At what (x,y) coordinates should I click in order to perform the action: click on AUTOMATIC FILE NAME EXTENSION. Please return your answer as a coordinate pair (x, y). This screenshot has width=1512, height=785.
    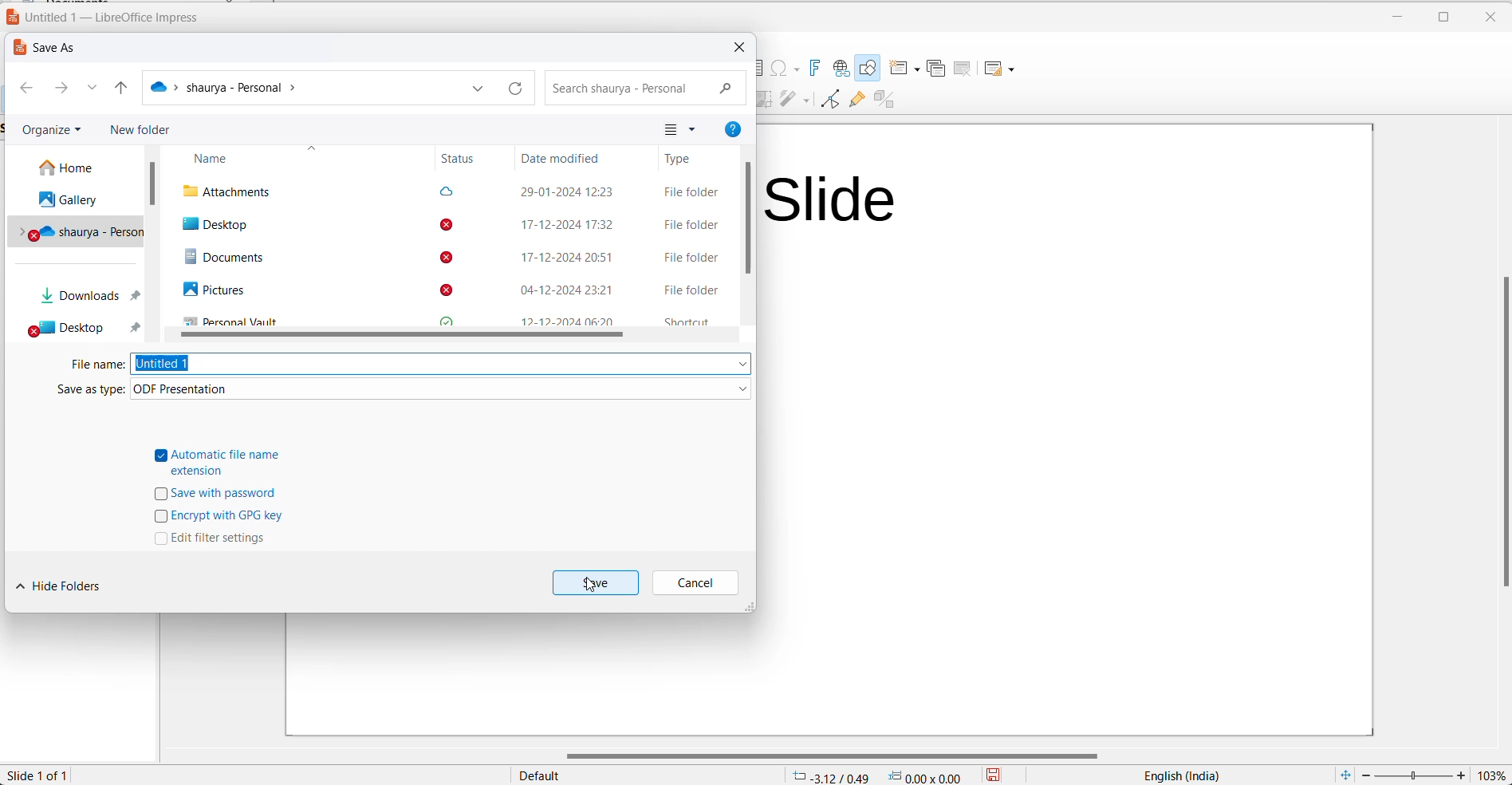
    Looking at the image, I should click on (219, 464).